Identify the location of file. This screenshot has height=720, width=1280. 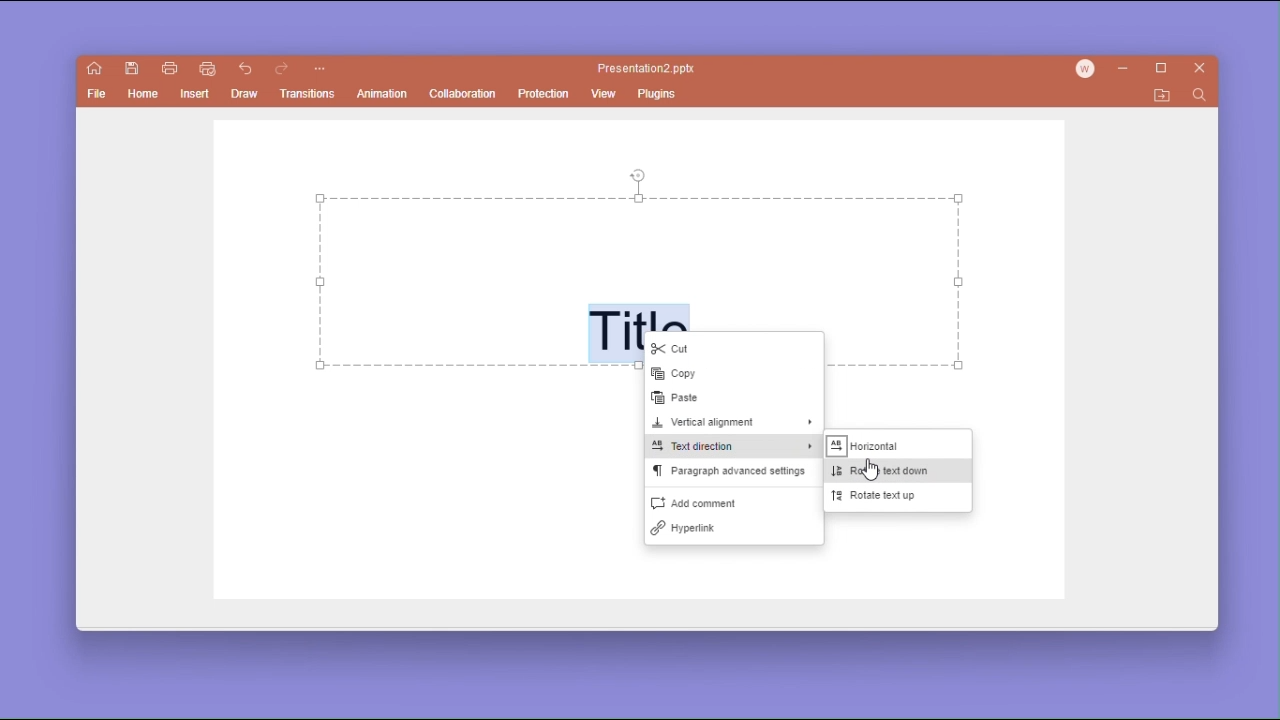
(98, 96).